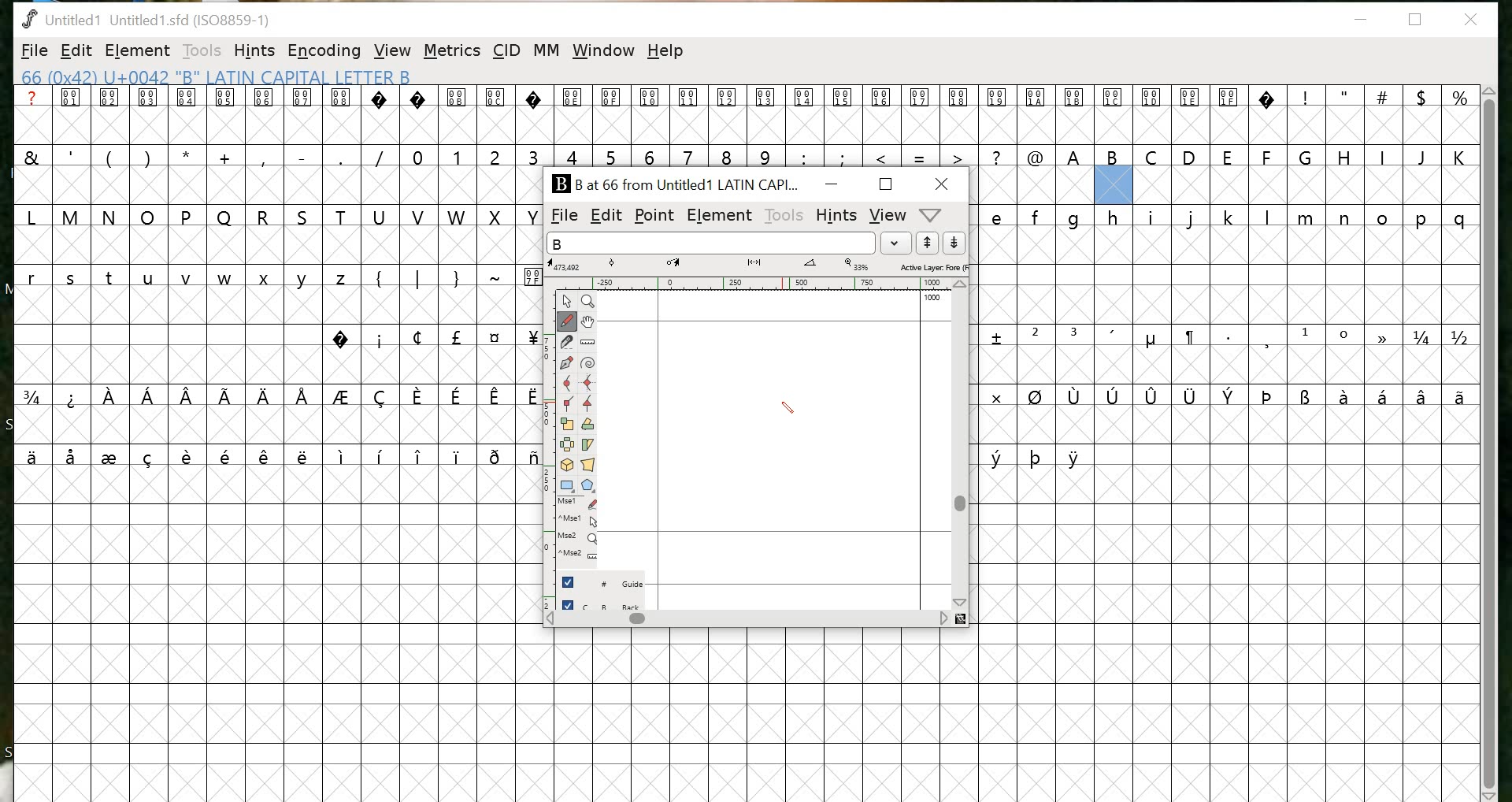 The width and height of the screenshot is (1512, 802). Describe the element at coordinates (569, 486) in the screenshot. I see `Rectangle/ellipse` at that location.